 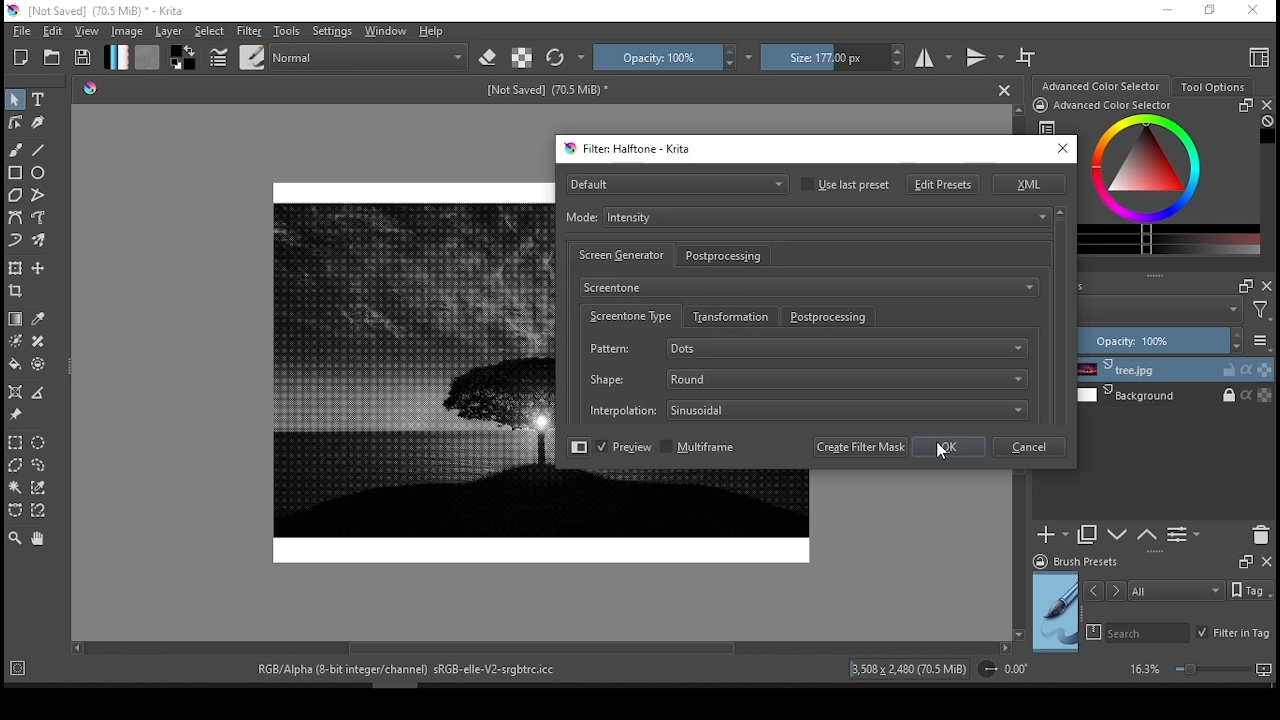 What do you see at coordinates (544, 648) in the screenshot?
I see `scroll` at bounding box center [544, 648].